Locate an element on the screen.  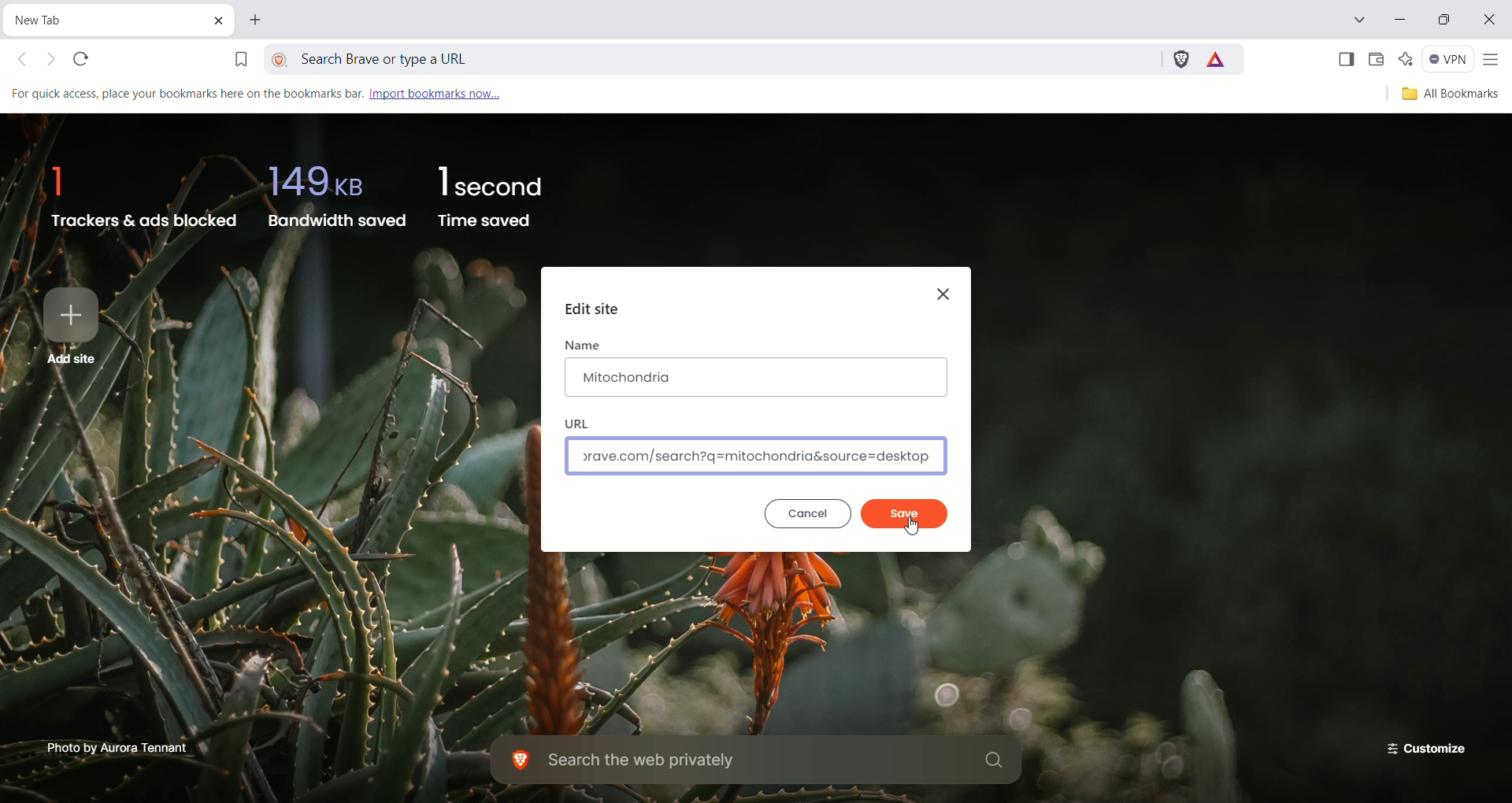
wallet is located at coordinates (1377, 60).